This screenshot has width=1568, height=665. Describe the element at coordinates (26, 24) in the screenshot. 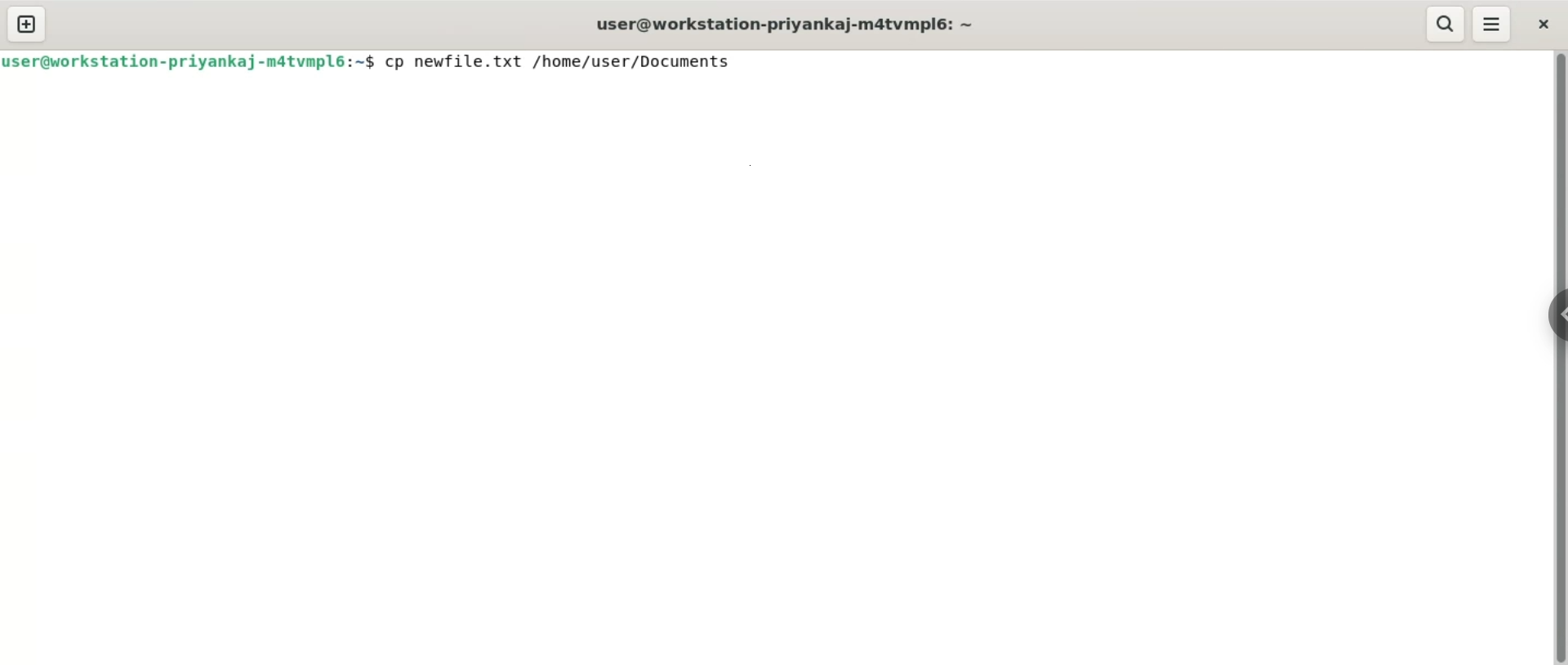

I see `new tab` at that location.